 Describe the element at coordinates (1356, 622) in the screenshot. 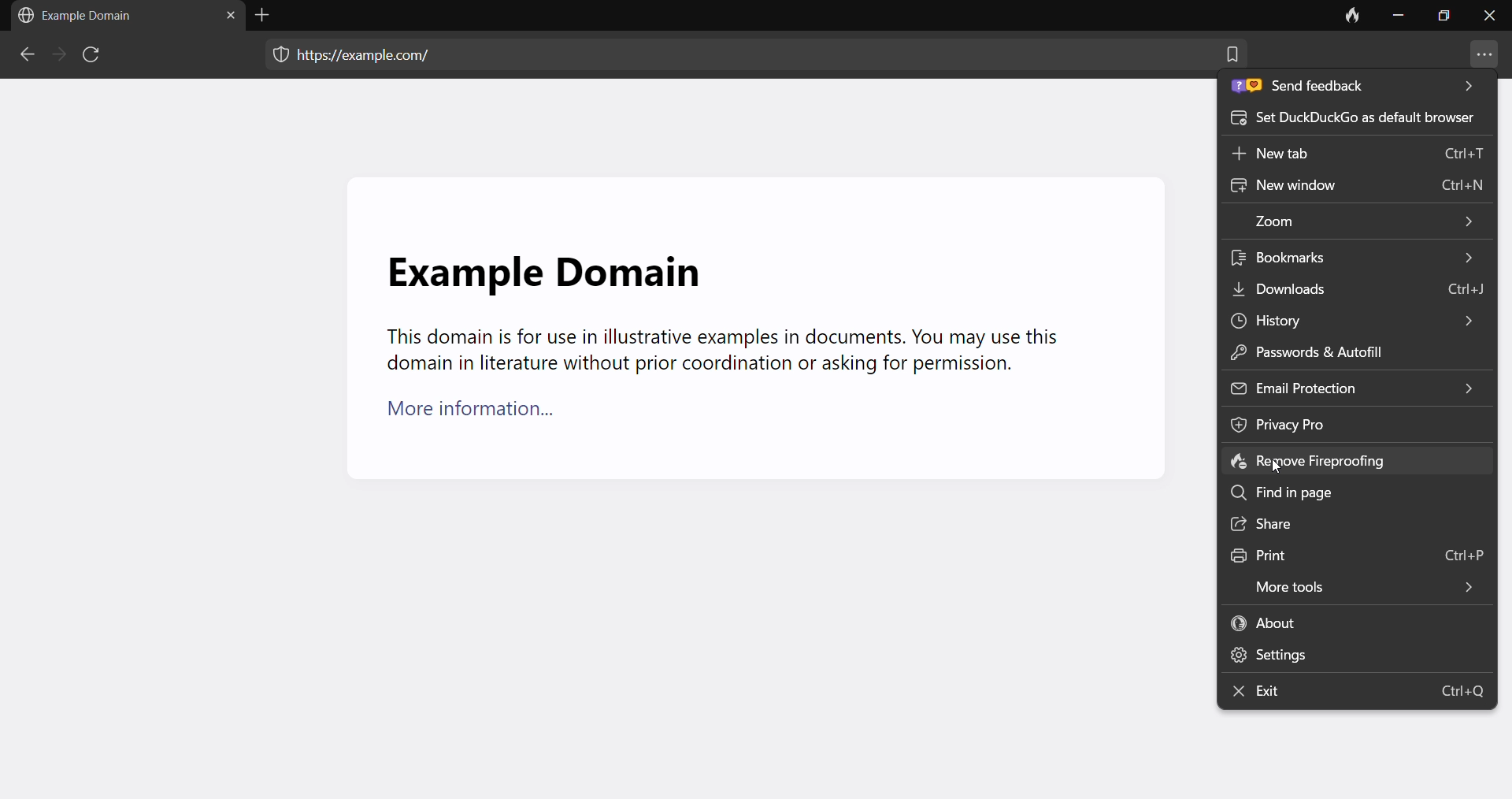

I see `about` at that location.